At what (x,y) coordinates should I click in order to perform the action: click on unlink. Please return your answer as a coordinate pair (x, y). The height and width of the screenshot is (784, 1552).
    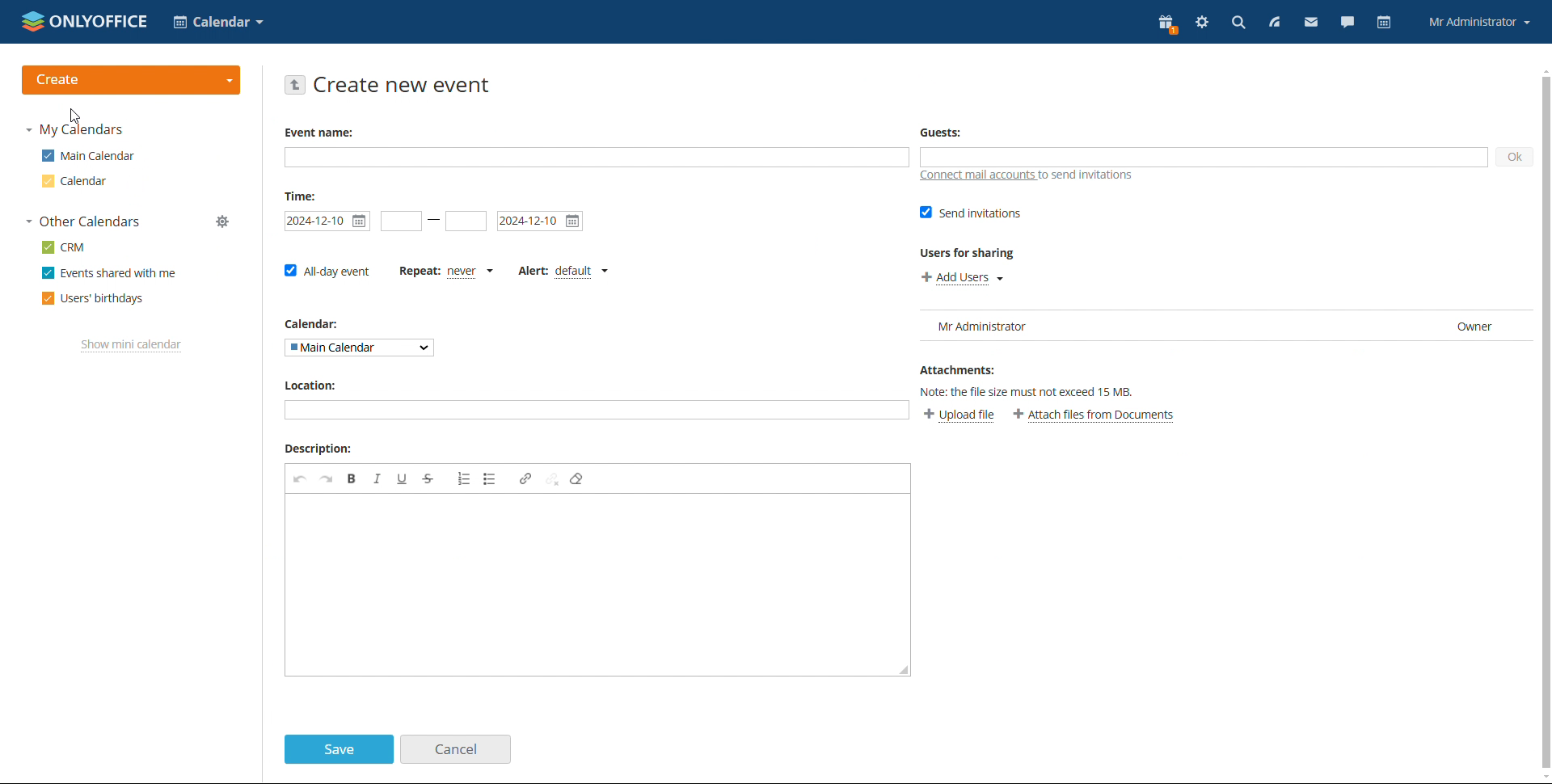
    Looking at the image, I should click on (552, 480).